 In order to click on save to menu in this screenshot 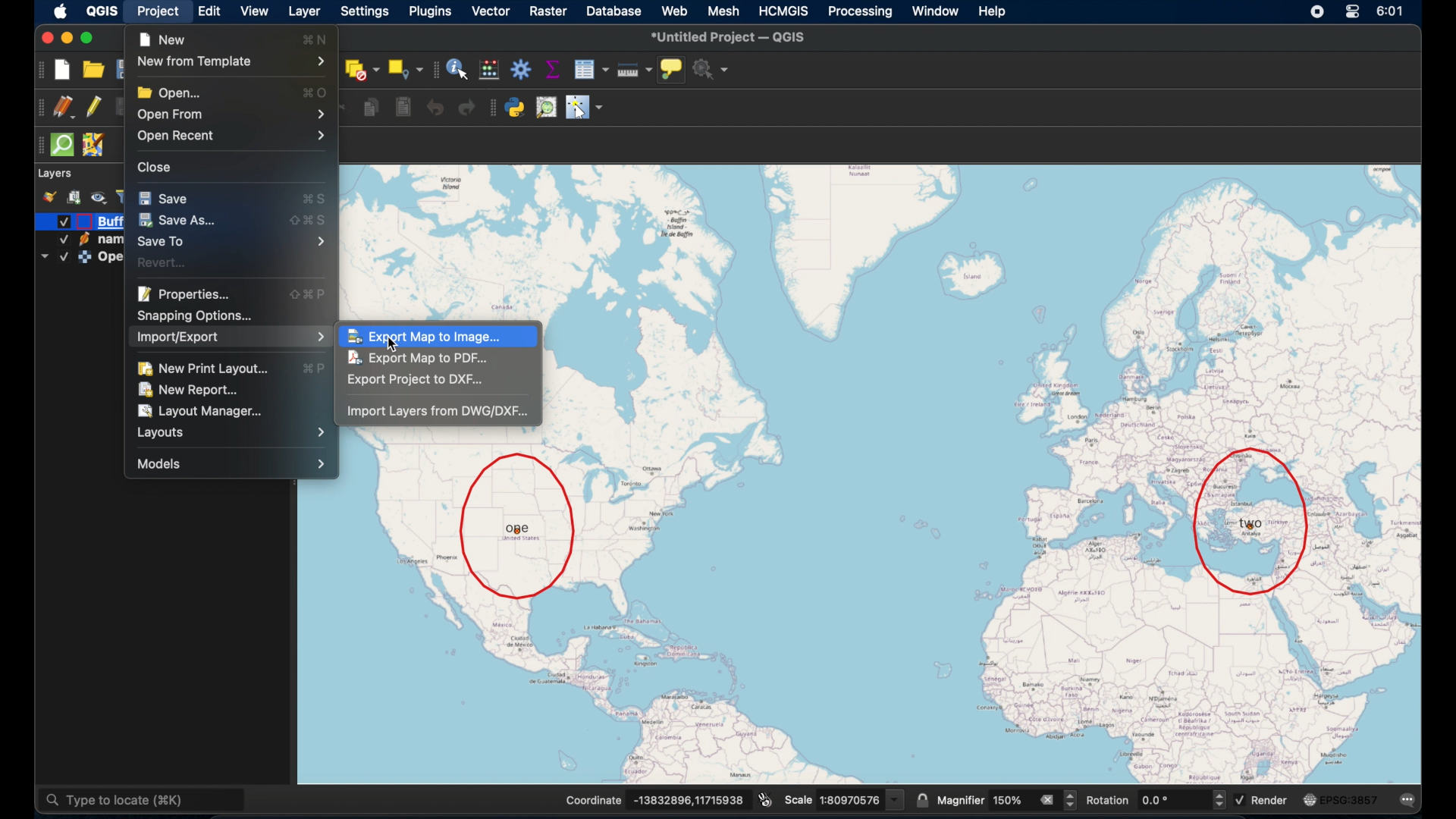, I will do `click(237, 242)`.